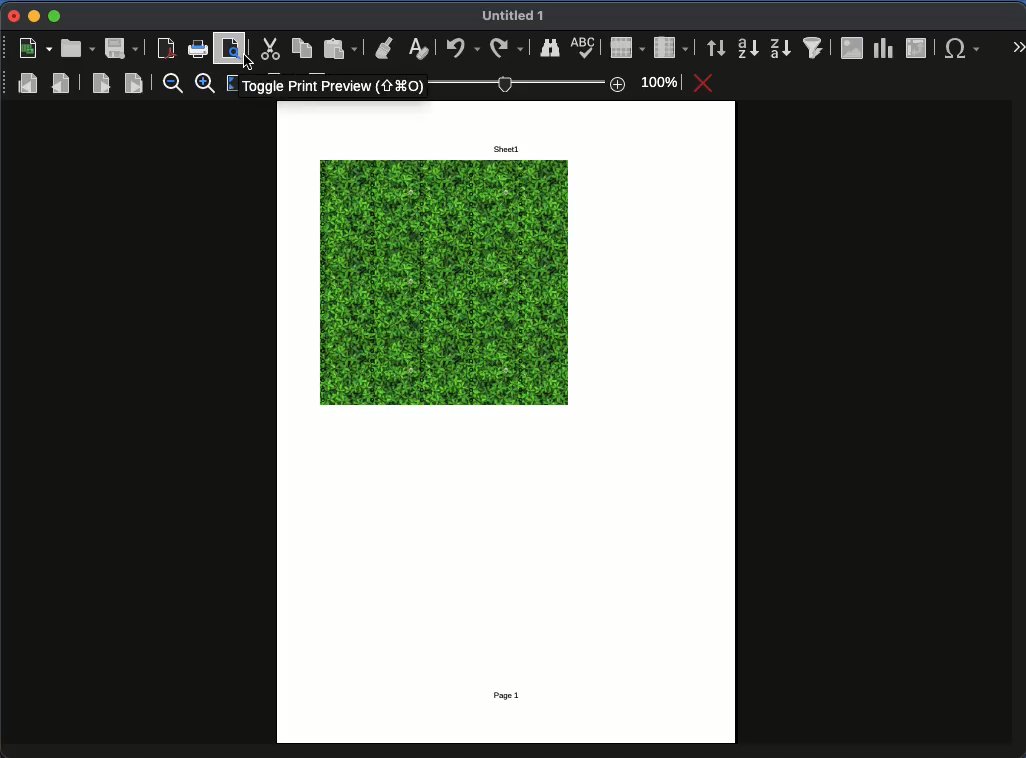  What do you see at coordinates (550, 47) in the screenshot?
I see `finder` at bounding box center [550, 47].